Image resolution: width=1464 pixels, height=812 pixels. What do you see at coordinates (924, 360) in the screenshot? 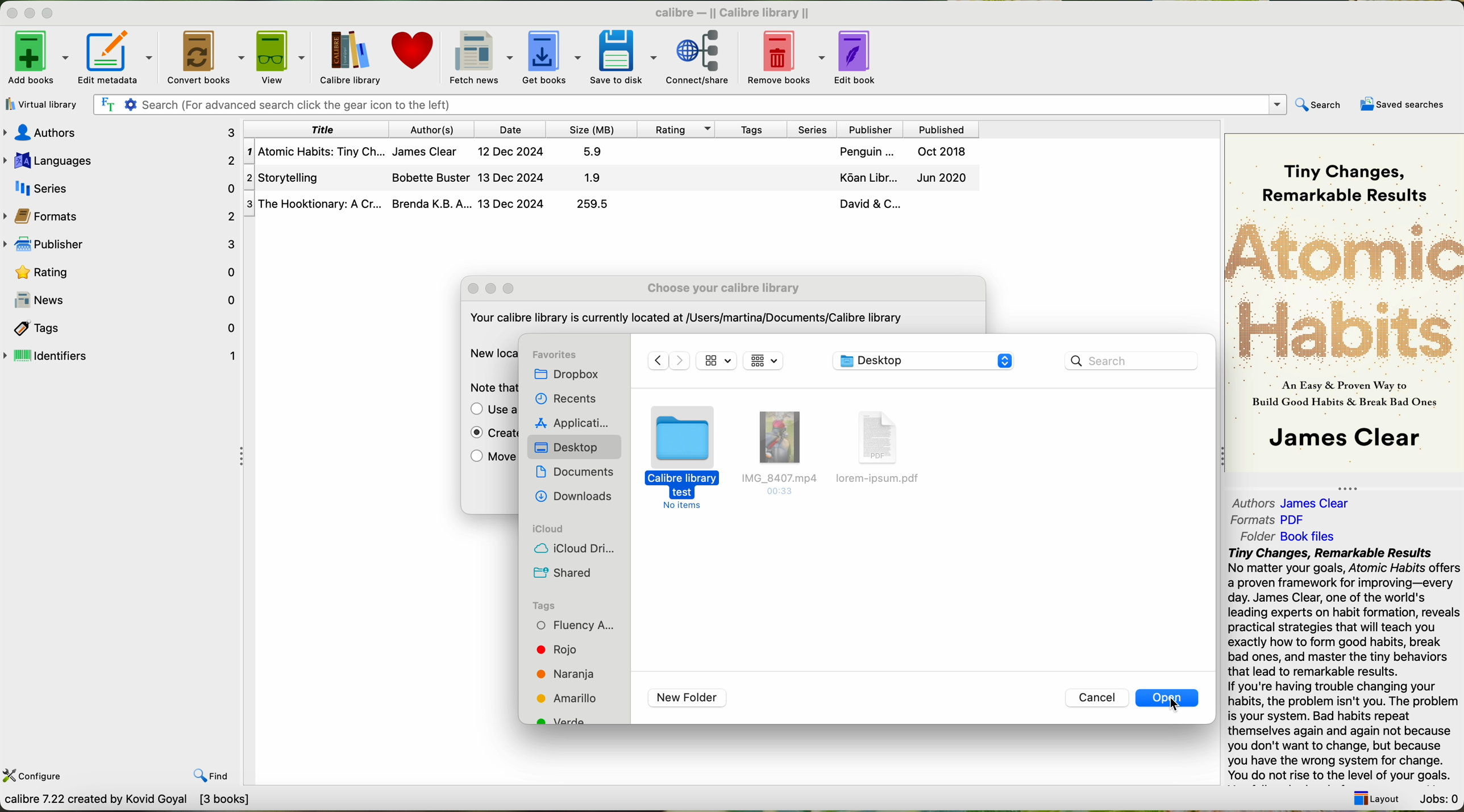
I see `calibre library location` at bounding box center [924, 360].